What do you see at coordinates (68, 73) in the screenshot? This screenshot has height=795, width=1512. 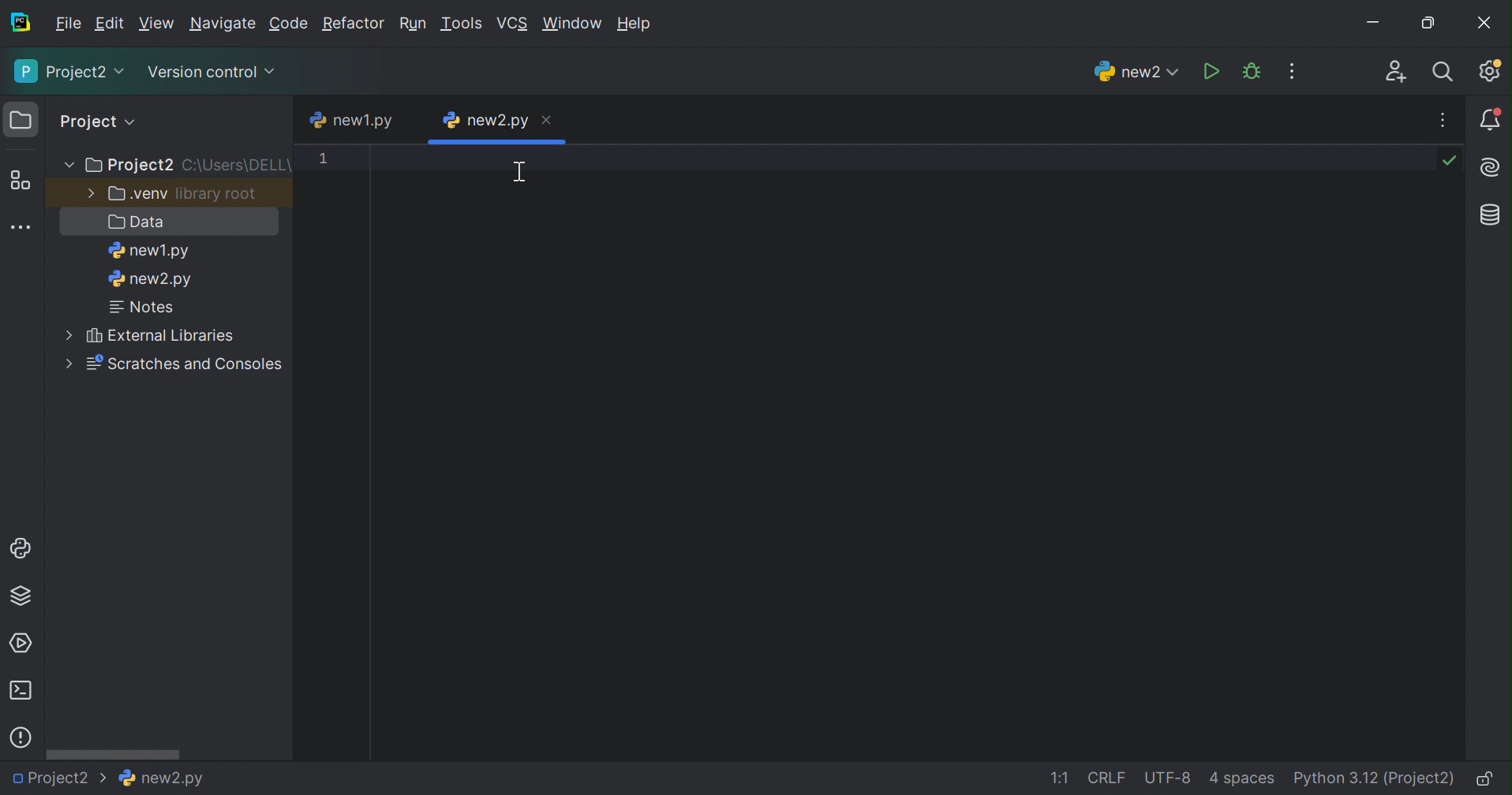 I see `Project2` at bounding box center [68, 73].